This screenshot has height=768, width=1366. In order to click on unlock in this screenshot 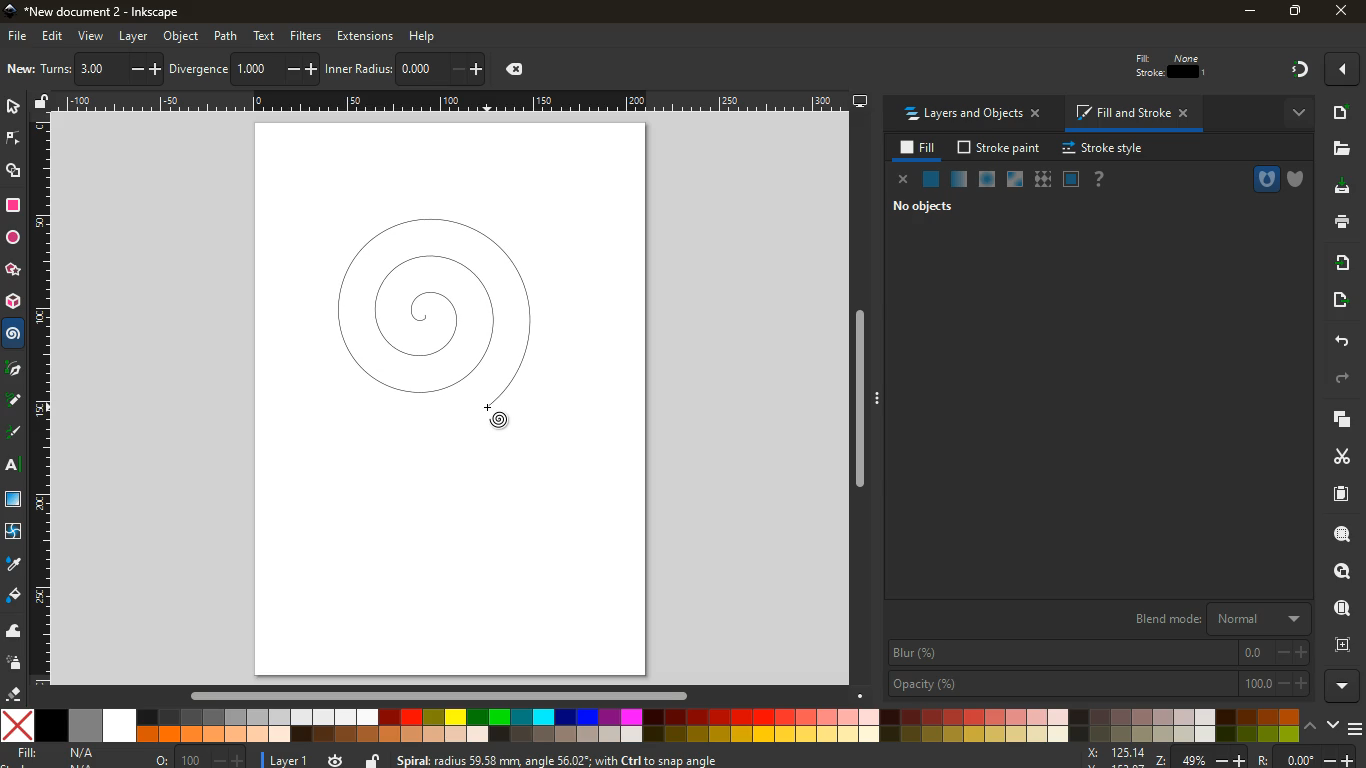, I will do `click(372, 760)`.